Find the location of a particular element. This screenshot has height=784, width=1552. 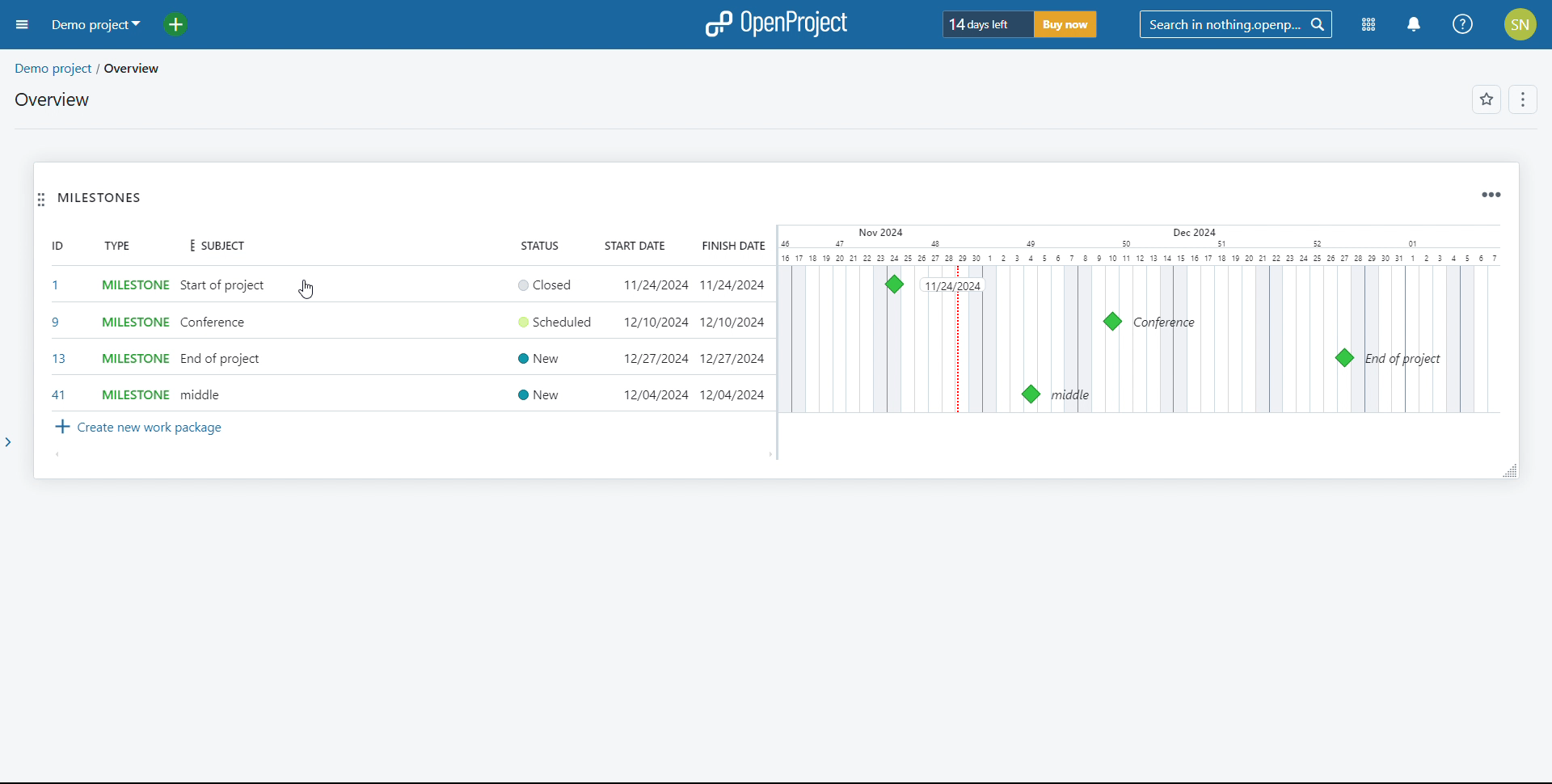

expand side bar is located at coordinates (15, 449).